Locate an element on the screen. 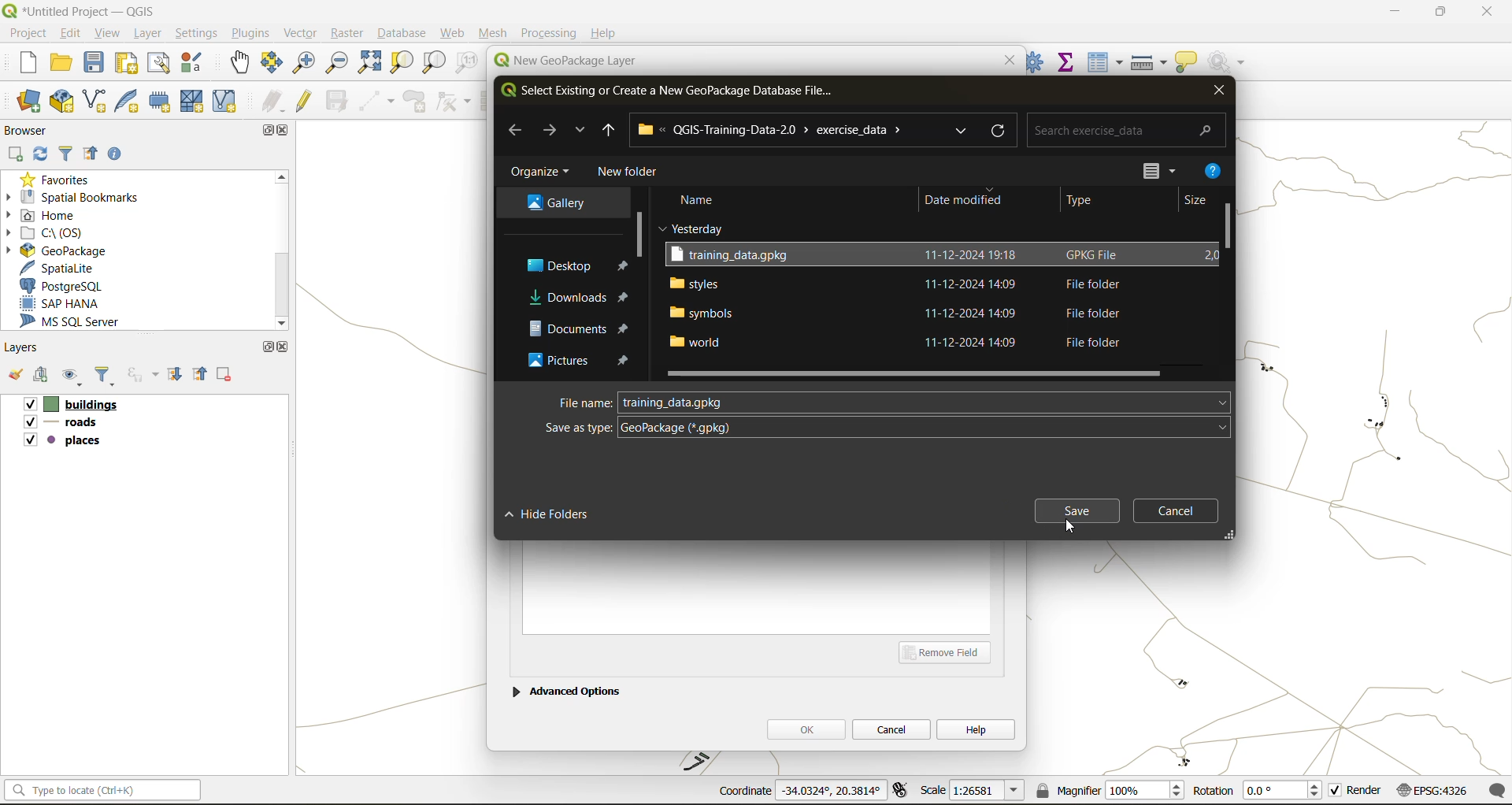 The width and height of the screenshot is (1512, 805). browser is located at coordinates (31, 130).